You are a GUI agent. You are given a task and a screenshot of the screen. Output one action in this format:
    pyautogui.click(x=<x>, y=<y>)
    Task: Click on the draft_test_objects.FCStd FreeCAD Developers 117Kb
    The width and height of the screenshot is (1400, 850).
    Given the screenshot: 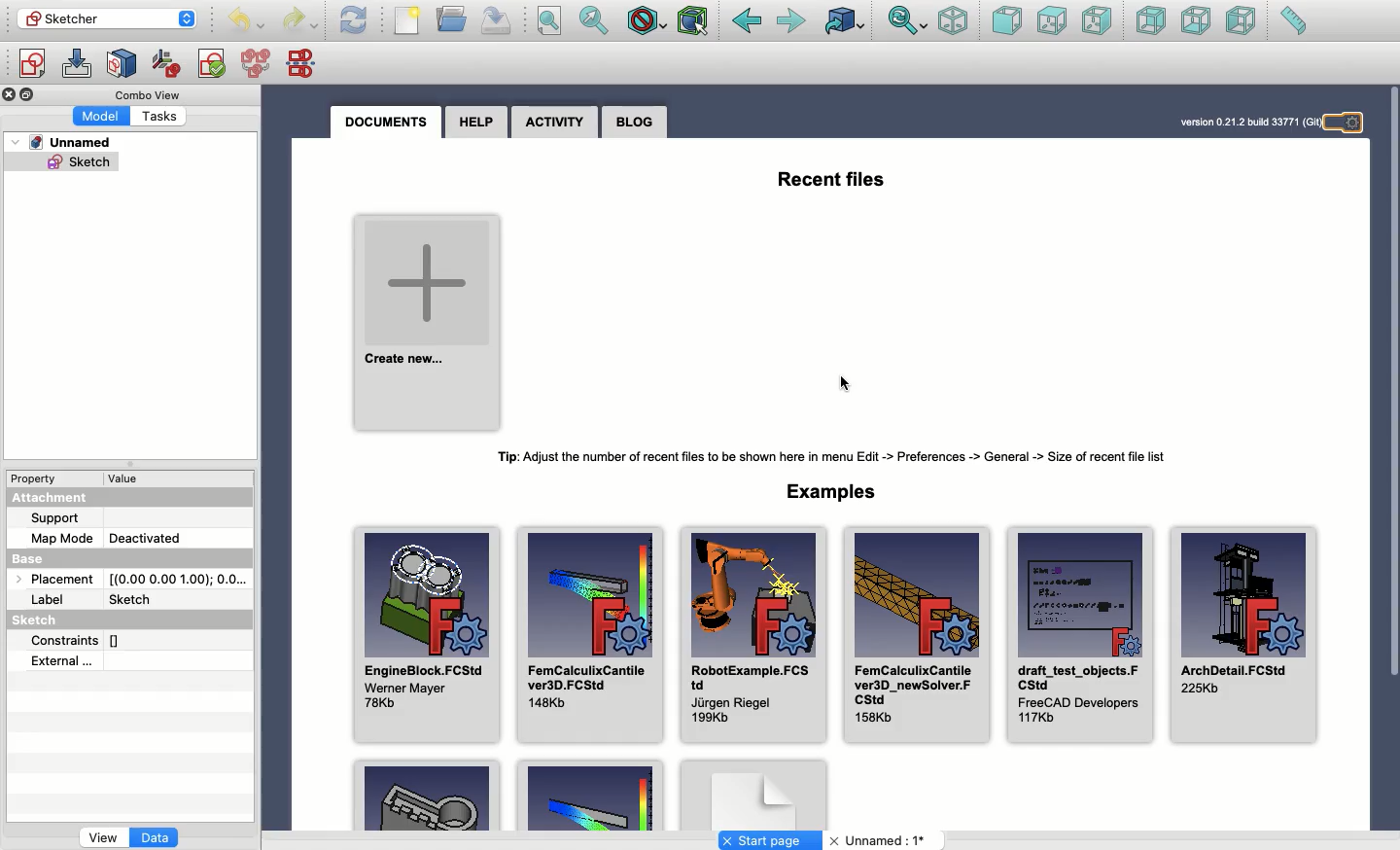 What is the action you would take?
    pyautogui.click(x=1080, y=636)
    